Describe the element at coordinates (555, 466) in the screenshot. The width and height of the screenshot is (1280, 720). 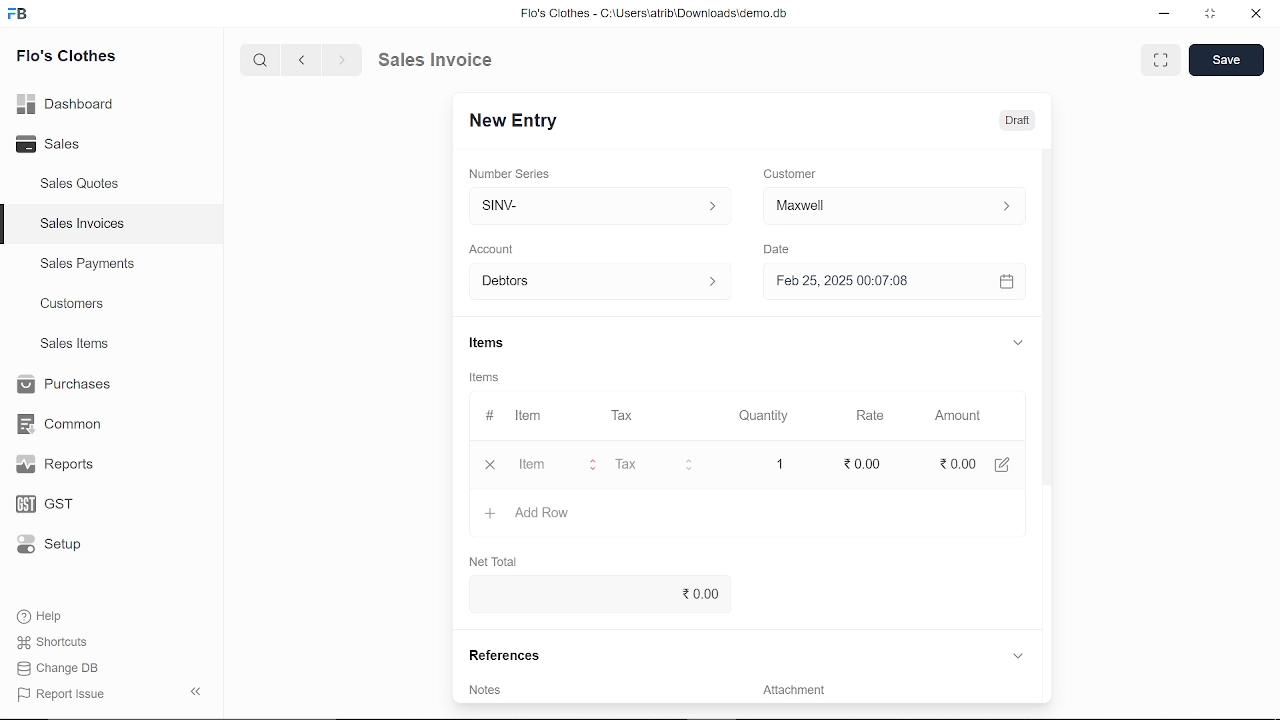
I see `Item` at that location.